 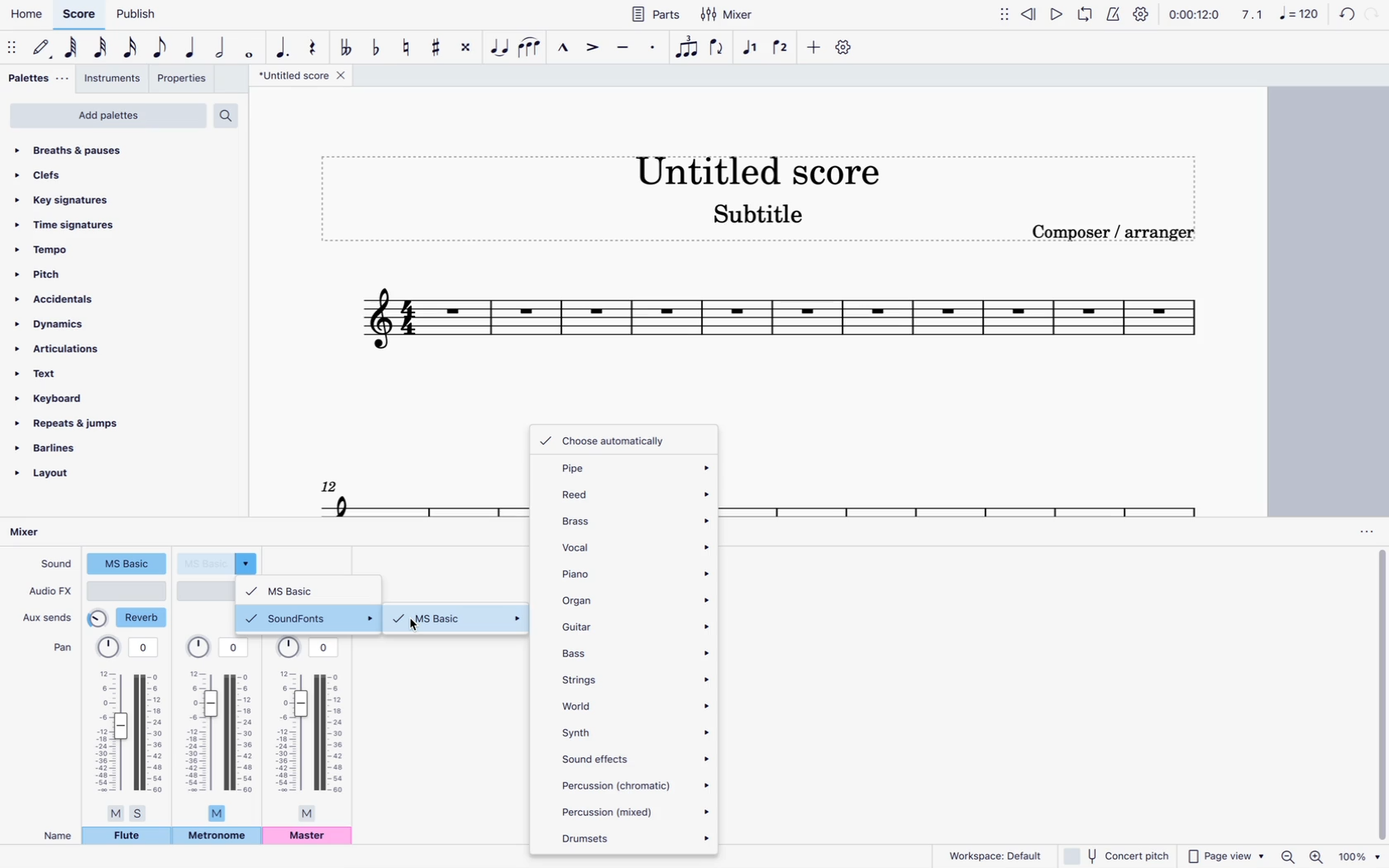 I want to click on loop playback, so click(x=1086, y=17).